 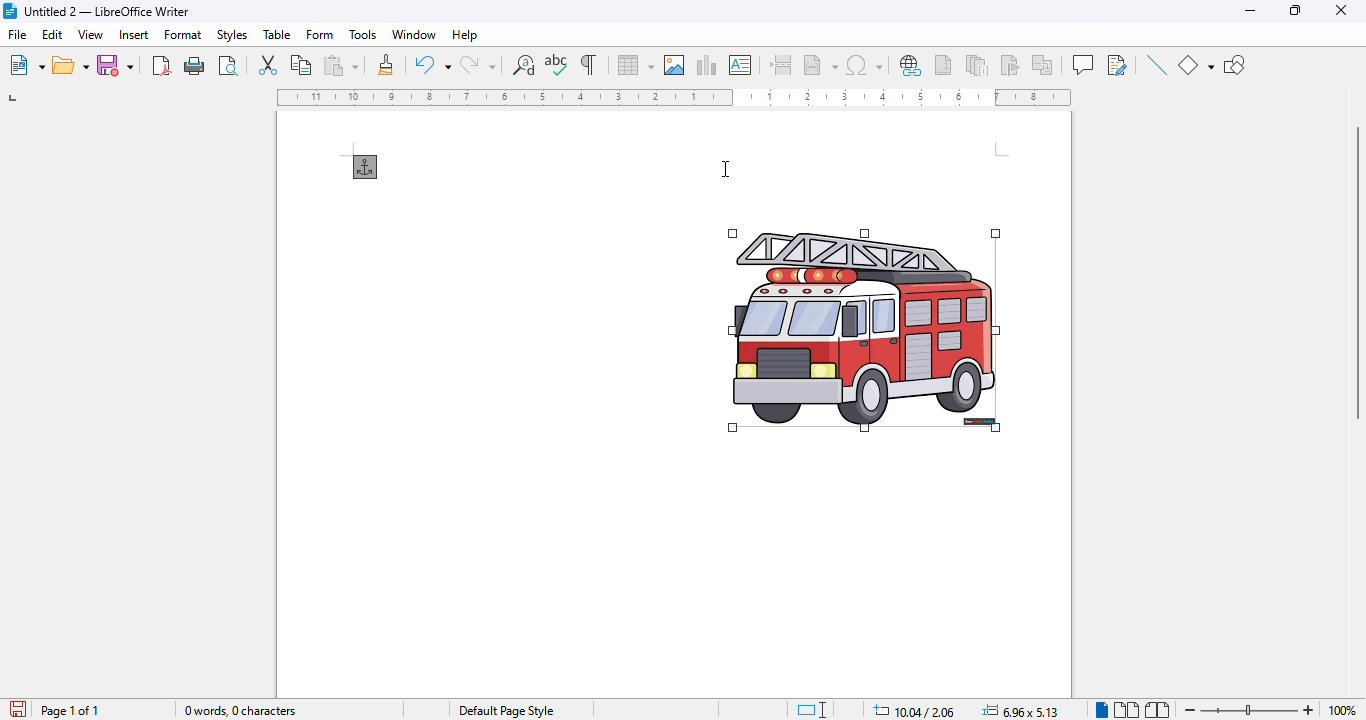 I want to click on maximize, so click(x=1298, y=11).